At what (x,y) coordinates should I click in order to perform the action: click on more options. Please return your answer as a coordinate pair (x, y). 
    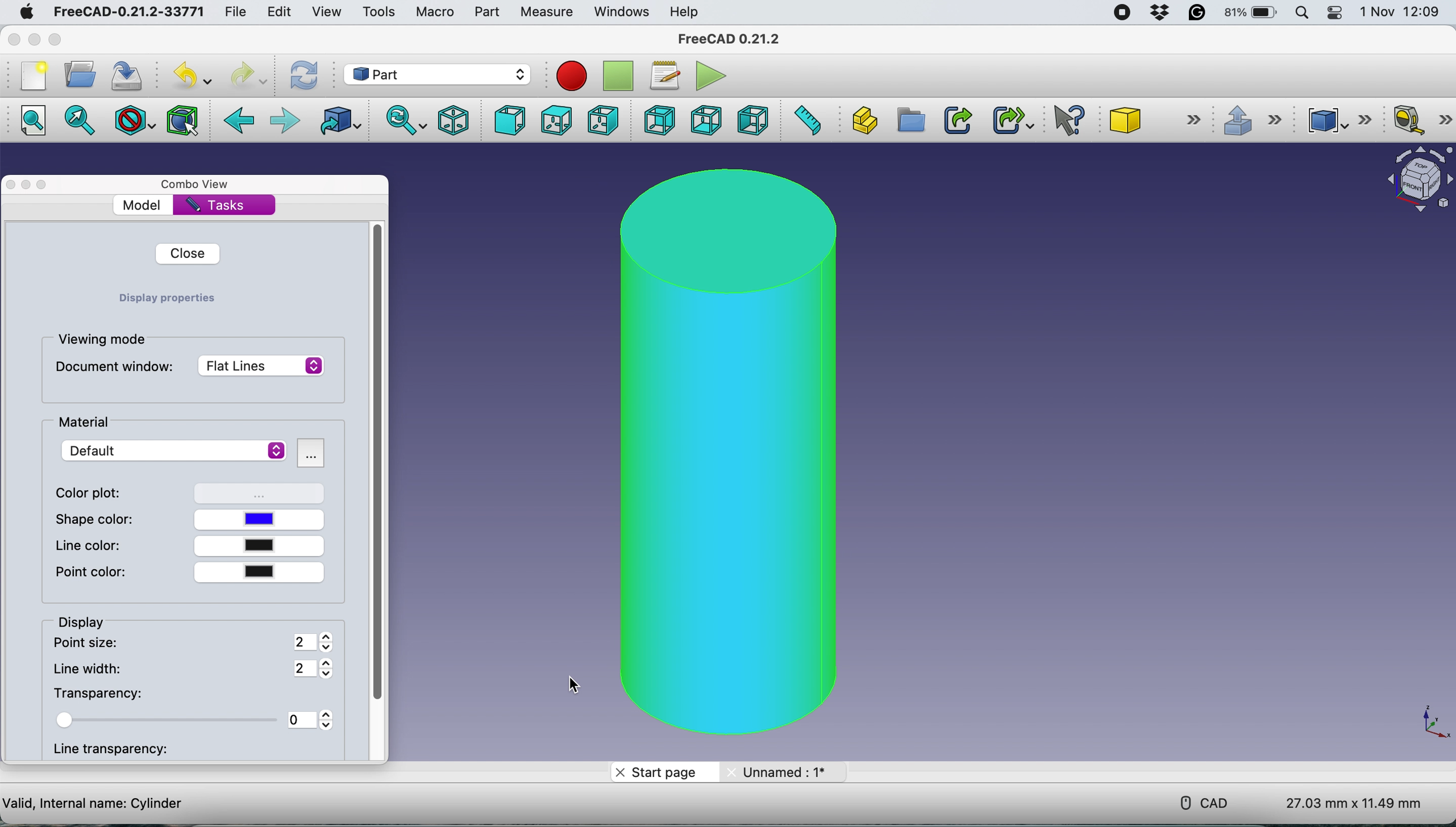
    Looking at the image, I should click on (311, 453).